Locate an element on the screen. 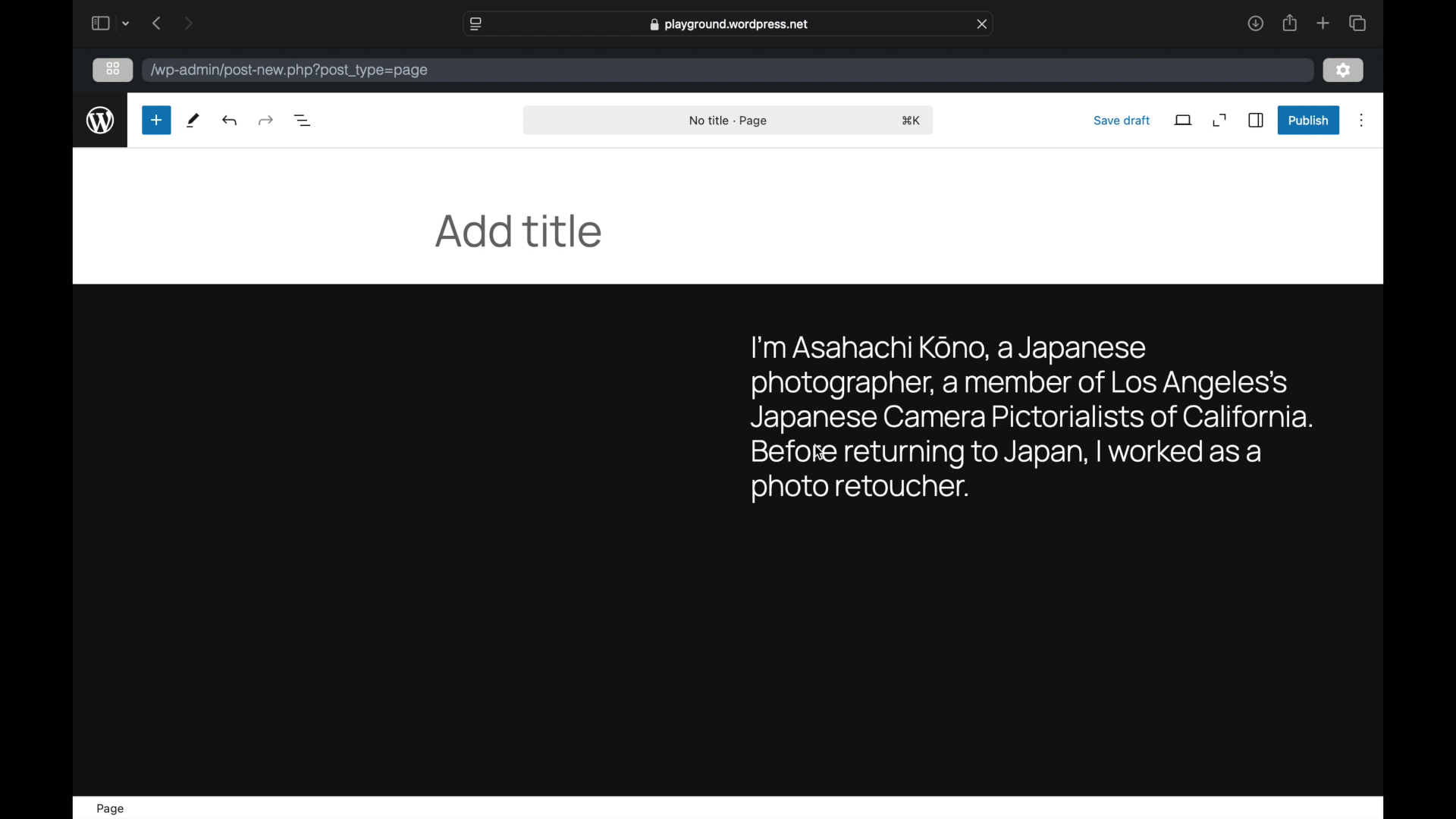 The height and width of the screenshot is (819, 1456). expand is located at coordinates (1220, 121).